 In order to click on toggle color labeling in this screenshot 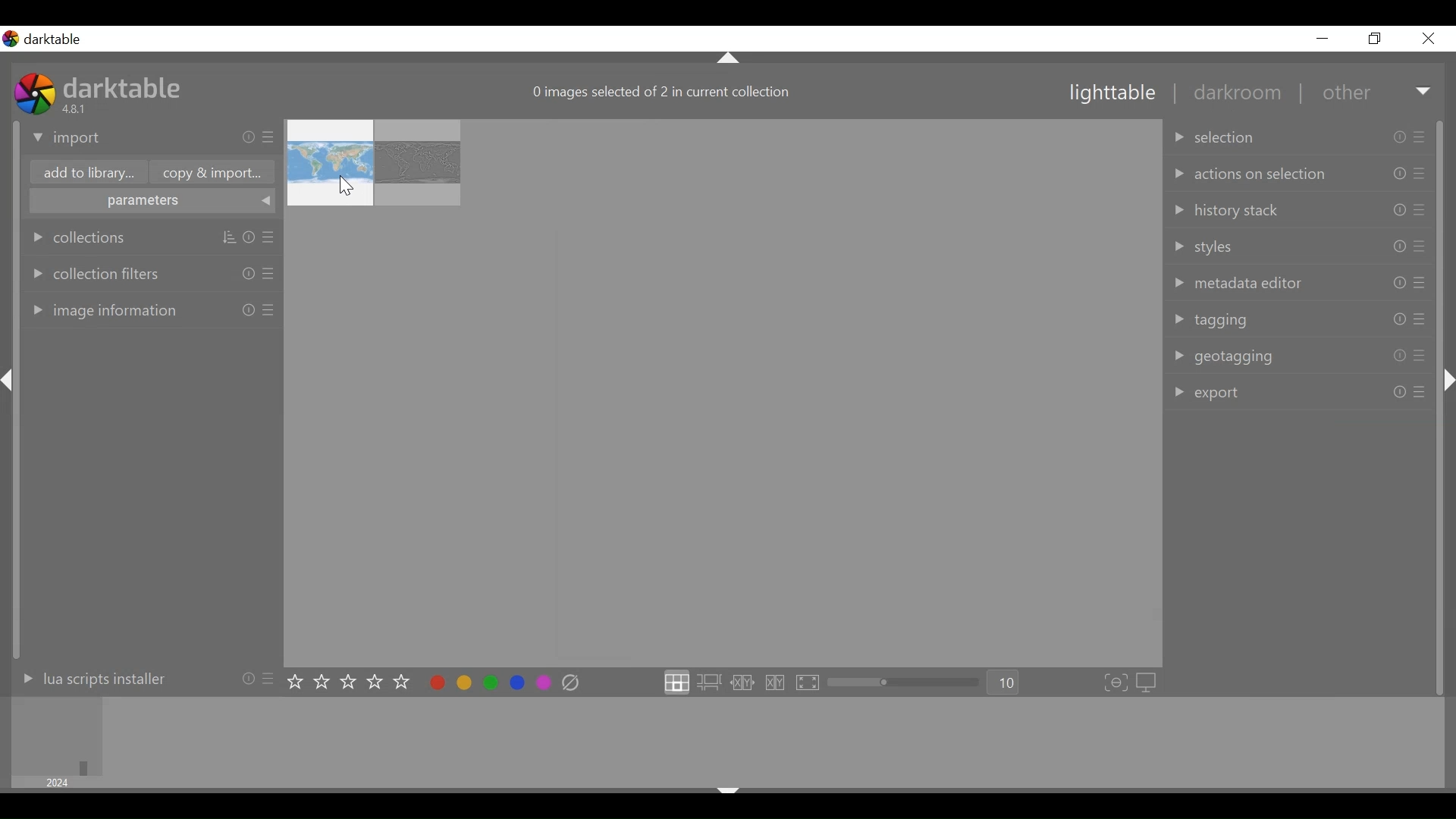, I will do `click(489, 682)`.